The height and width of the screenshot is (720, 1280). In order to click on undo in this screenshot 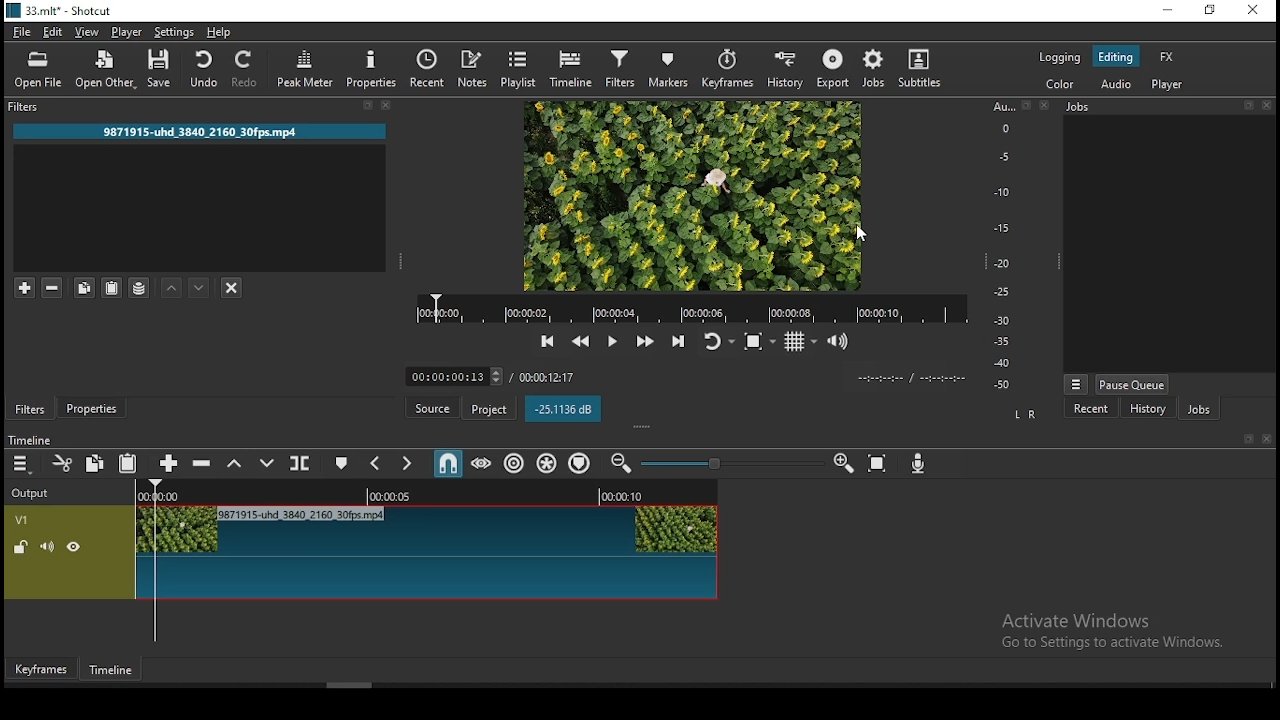, I will do `click(207, 68)`.